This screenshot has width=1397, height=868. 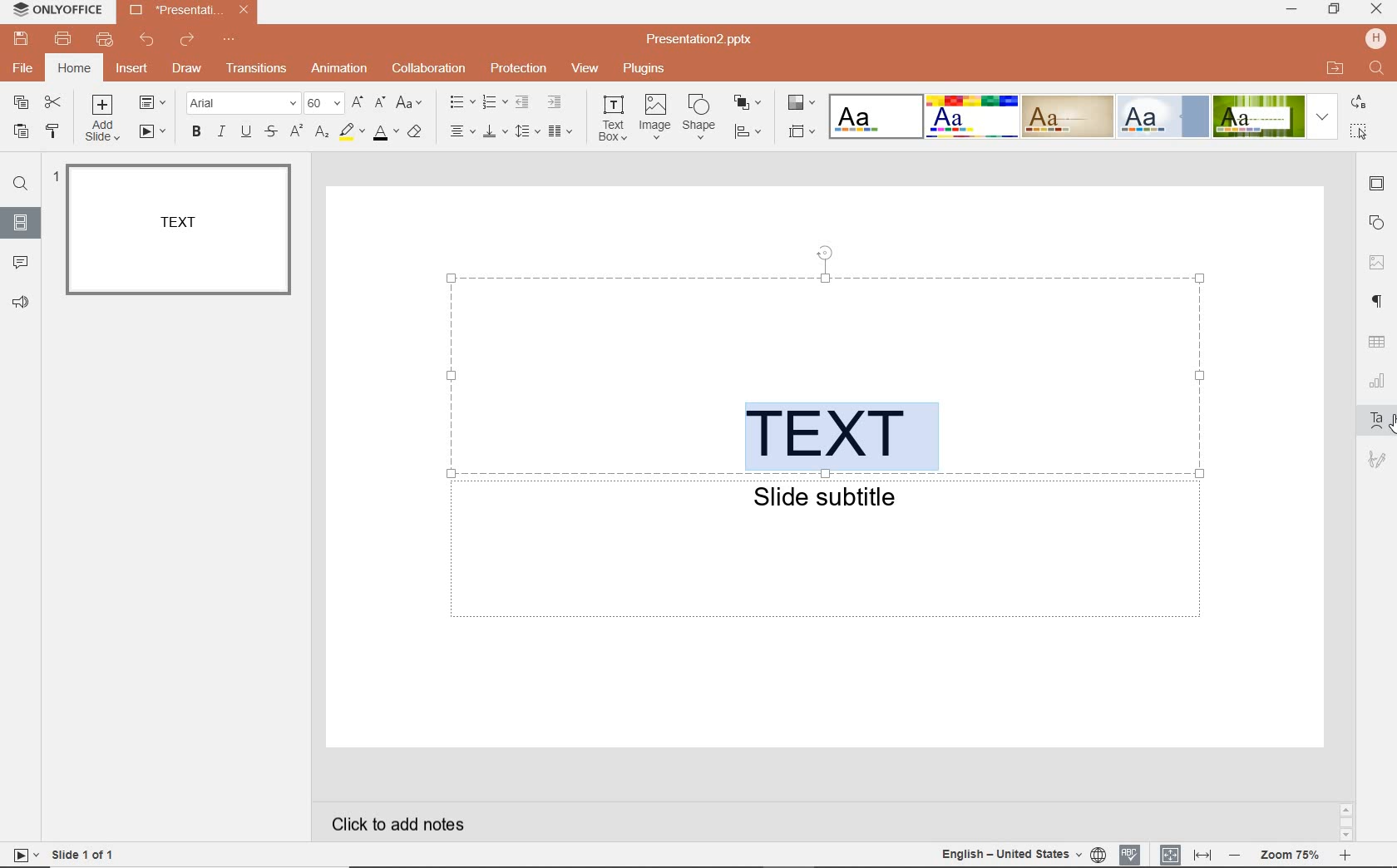 I want to click on REDO, so click(x=185, y=41).